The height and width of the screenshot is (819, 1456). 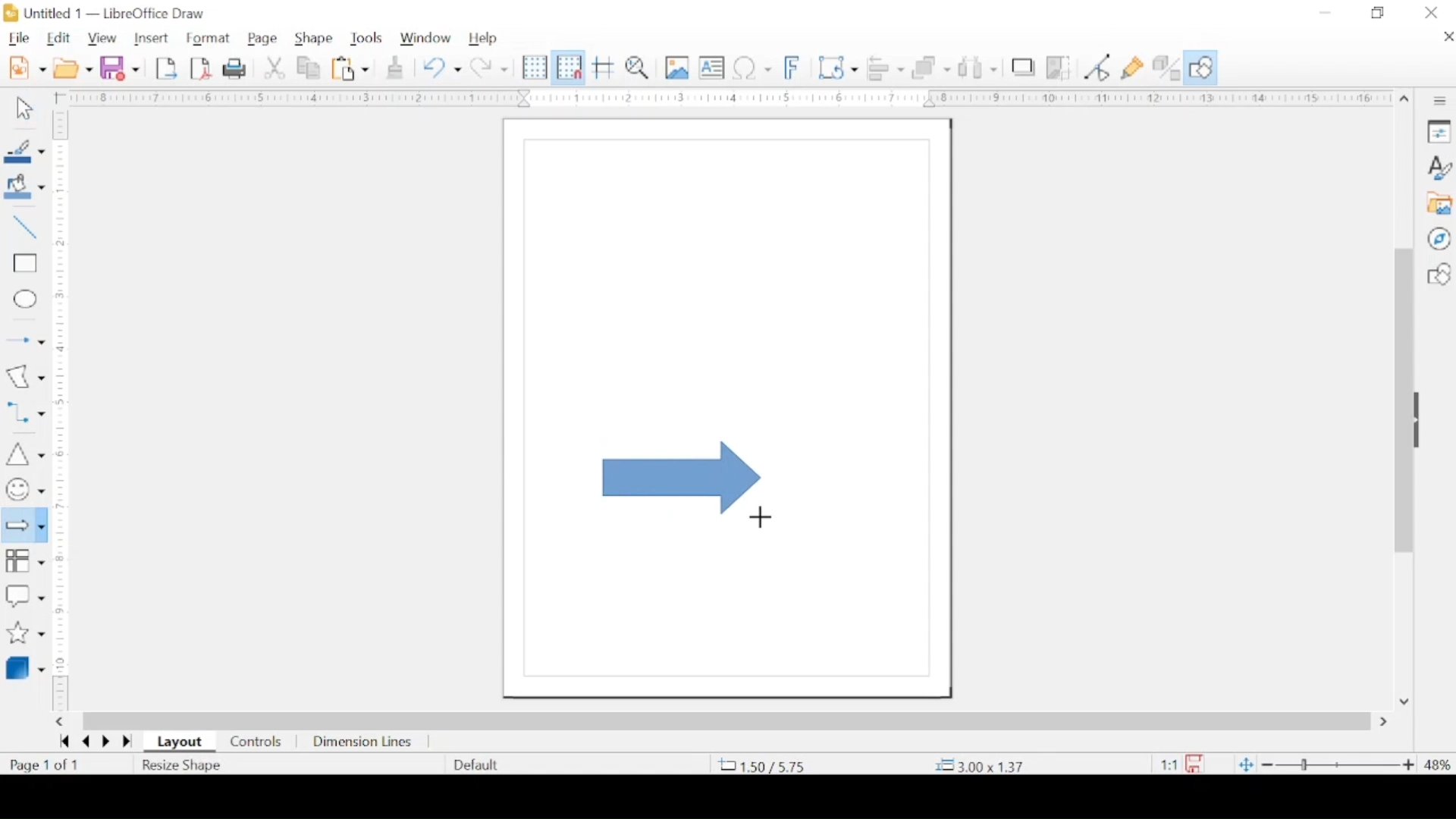 I want to click on toggle extrusion, so click(x=1166, y=67).